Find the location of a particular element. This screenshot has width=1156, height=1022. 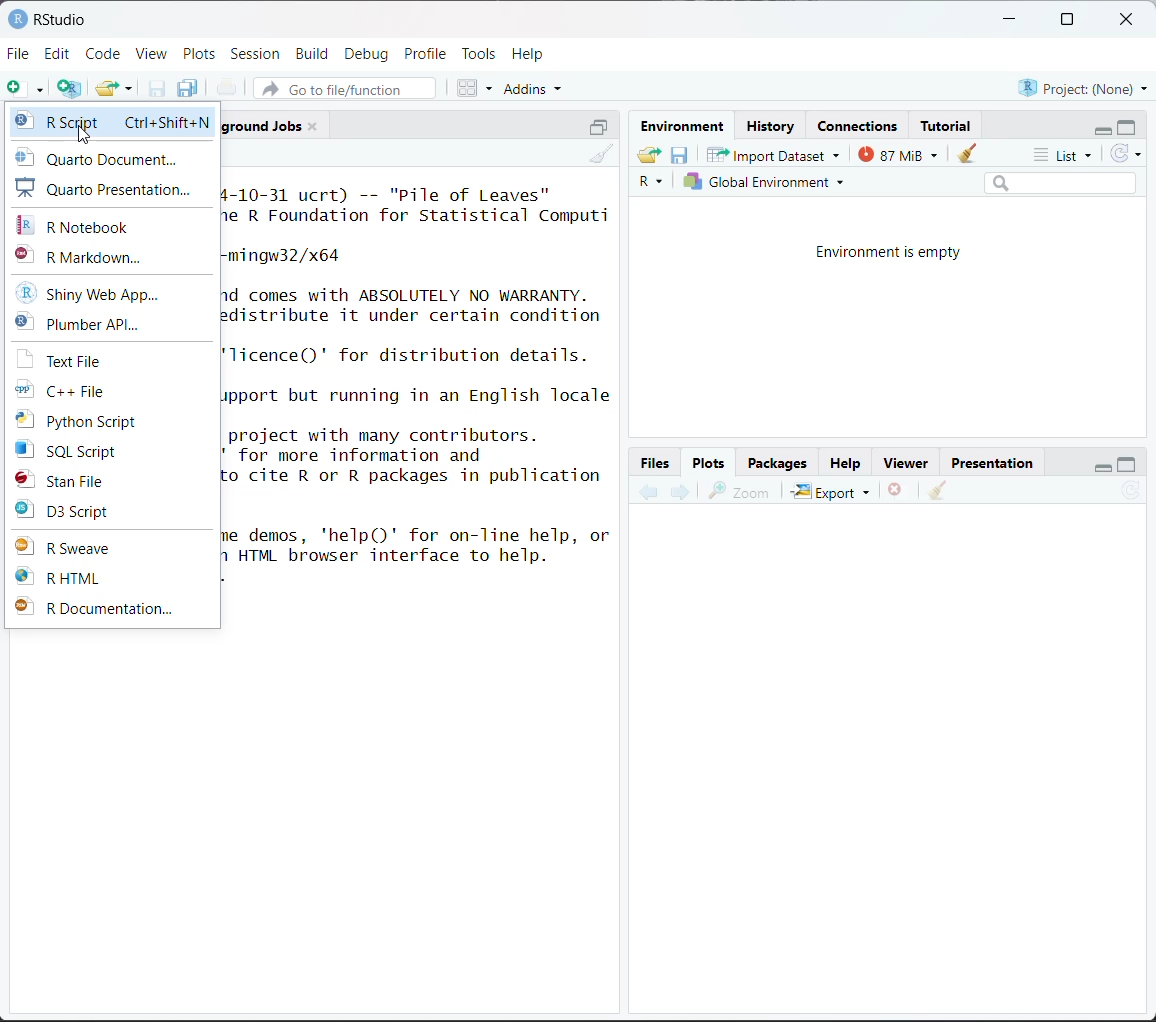

R Documentation... is located at coordinates (96, 606).